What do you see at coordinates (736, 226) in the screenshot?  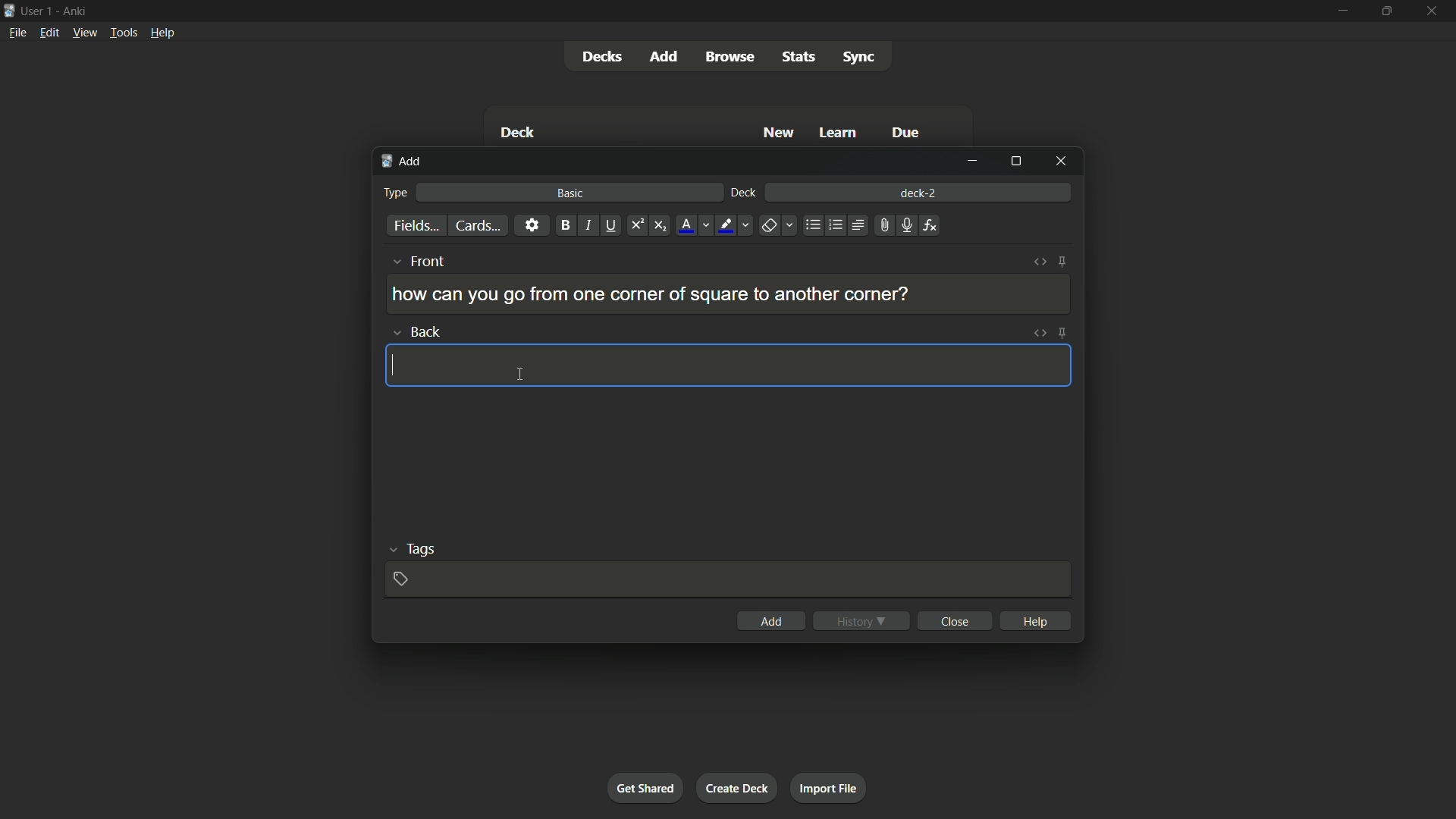 I see `highlight text` at bounding box center [736, 226].